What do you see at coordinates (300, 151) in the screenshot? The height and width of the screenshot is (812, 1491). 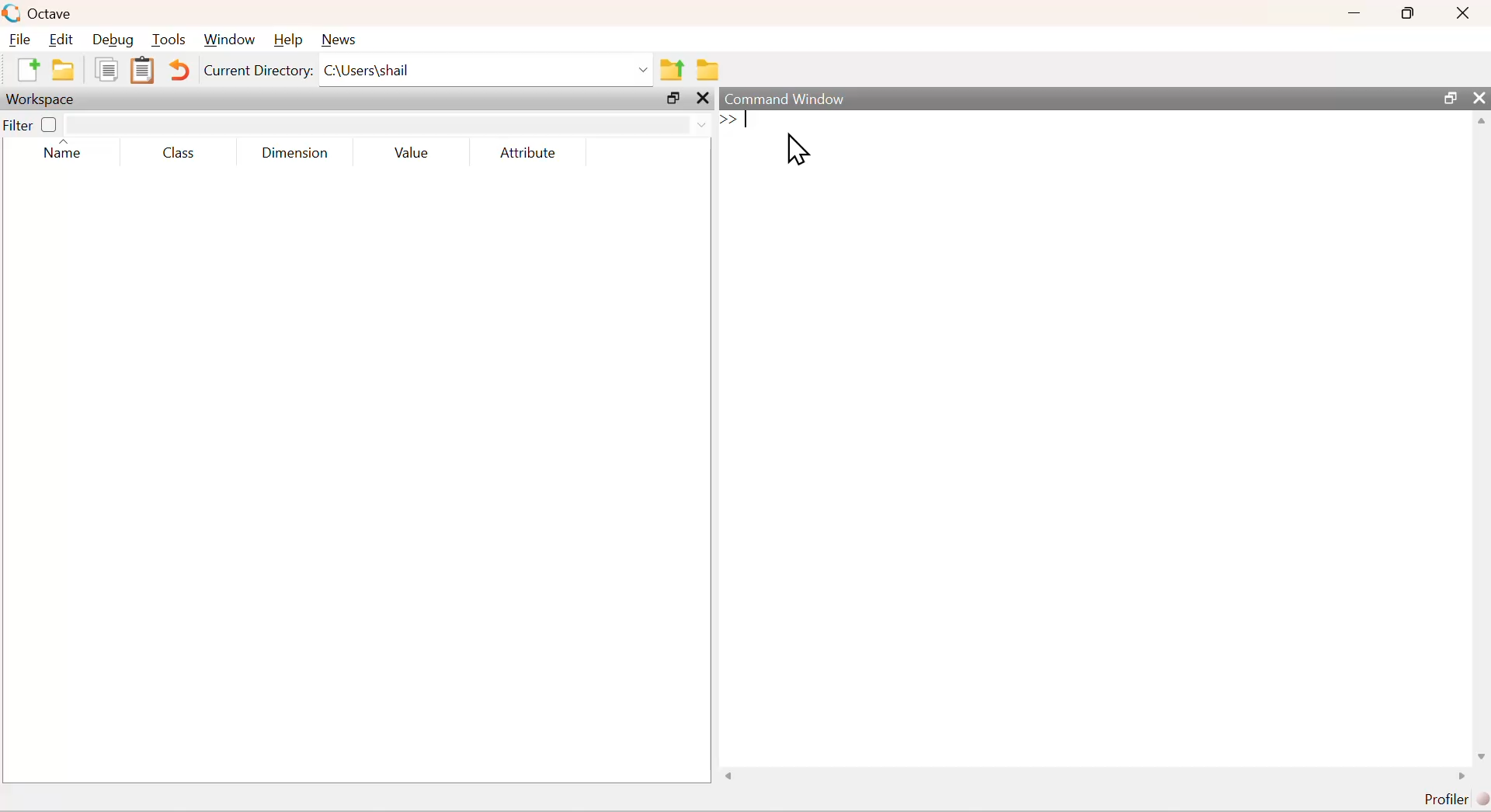 I see `Dimension` at bounding box center [300, 151].